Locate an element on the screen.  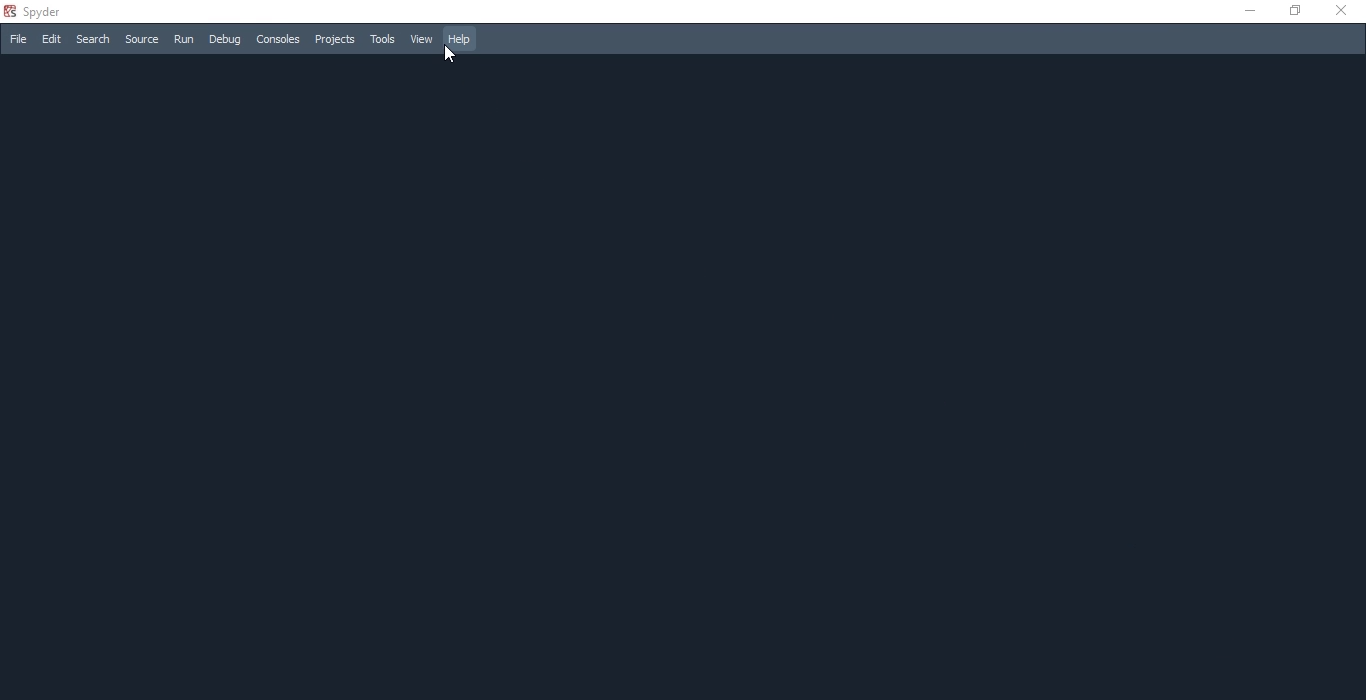
spyder is located at coordinates (34, 12).